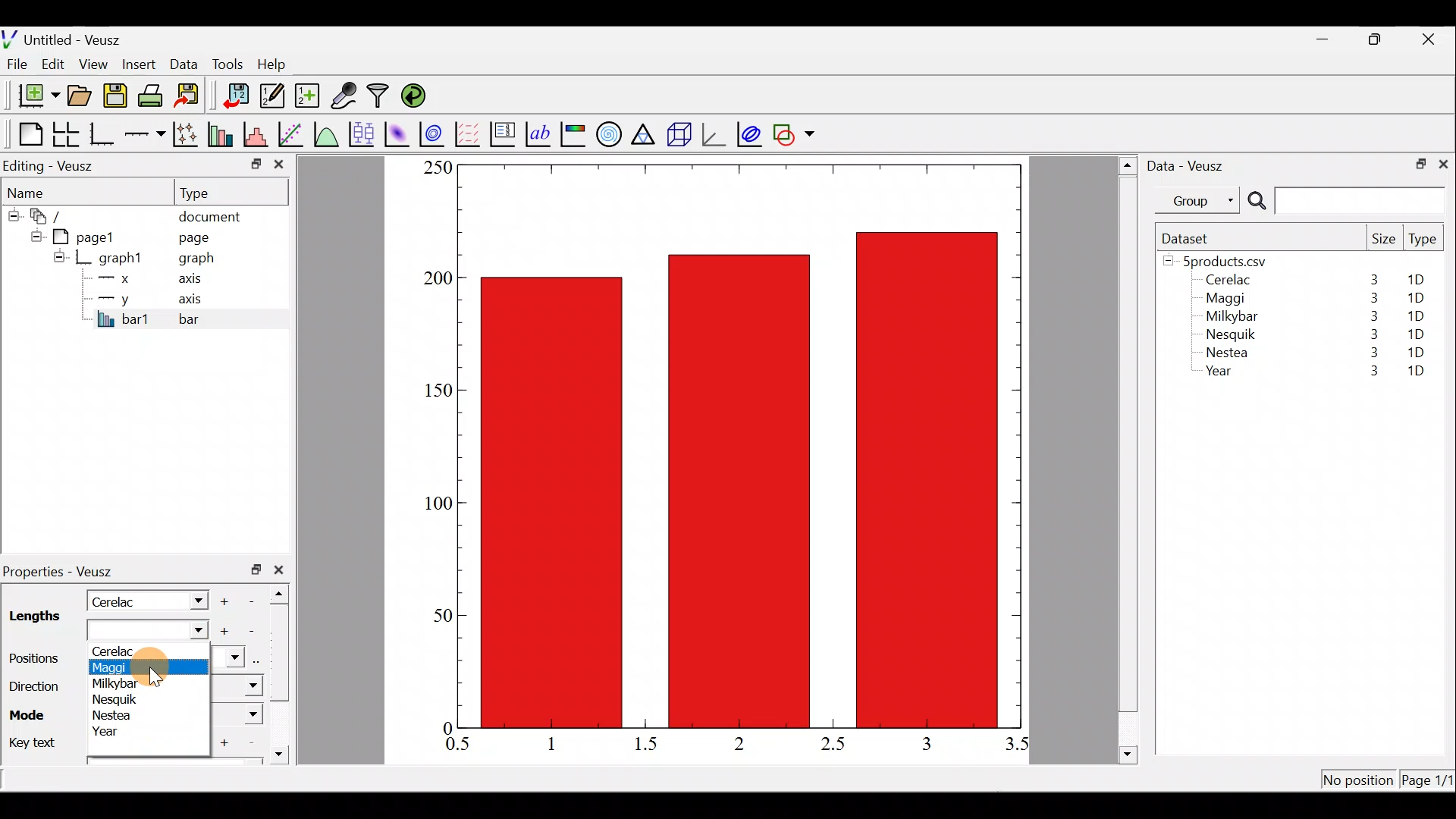  What do you see at coordinates (1424, 243) in the screenshot?
I see `Type` at bounding box center [1424, 243].